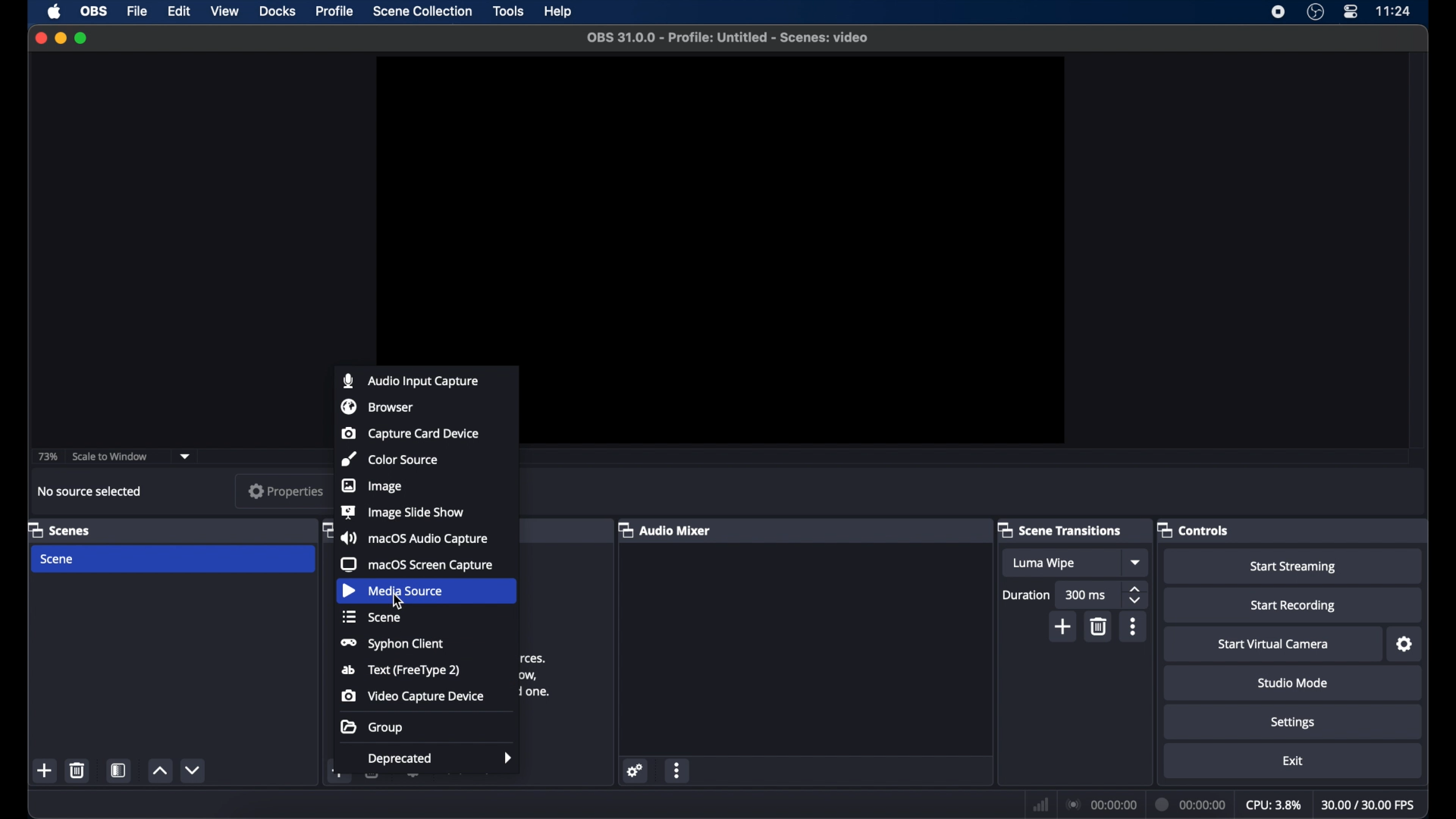 The width and height of the screenshot is (1456, 819). What do you see at coordinates (391, 459) in the screenshot?
I see `color source` at bounding box center [391, 459].